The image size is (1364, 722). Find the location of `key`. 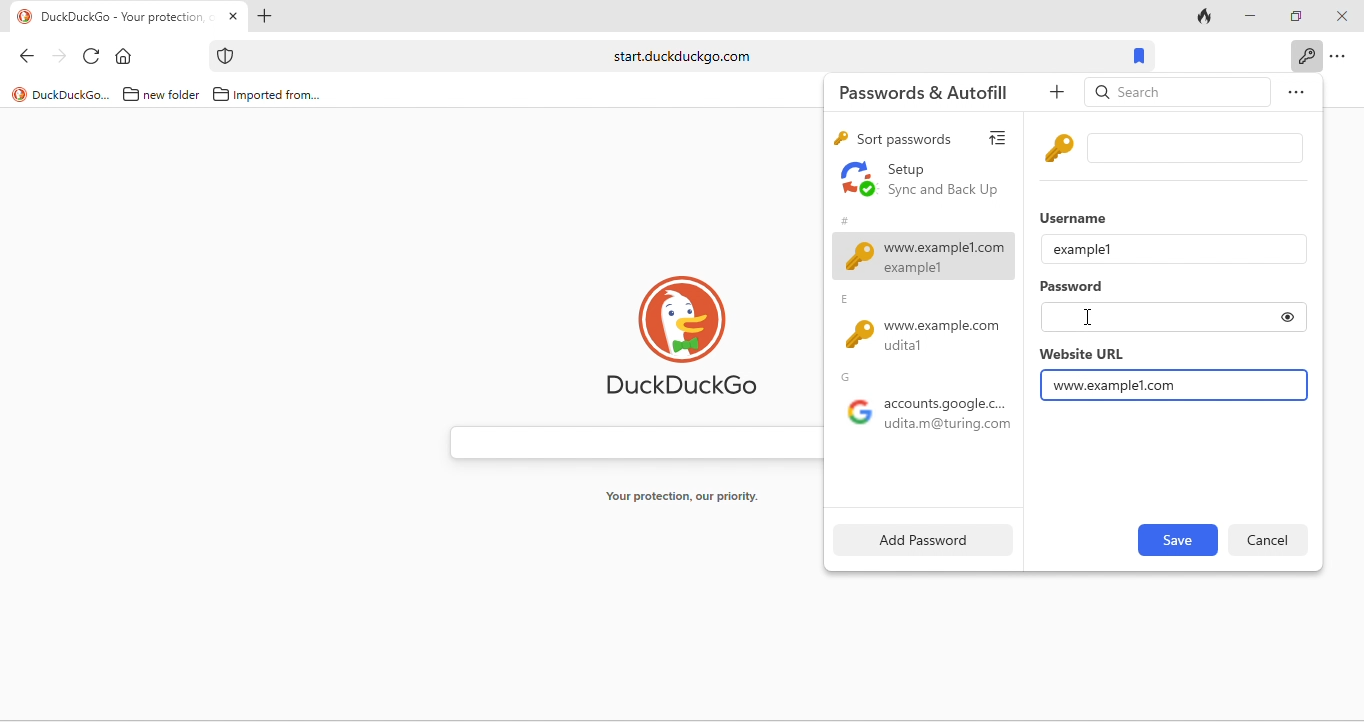

key is located at coordinates (839, 140).